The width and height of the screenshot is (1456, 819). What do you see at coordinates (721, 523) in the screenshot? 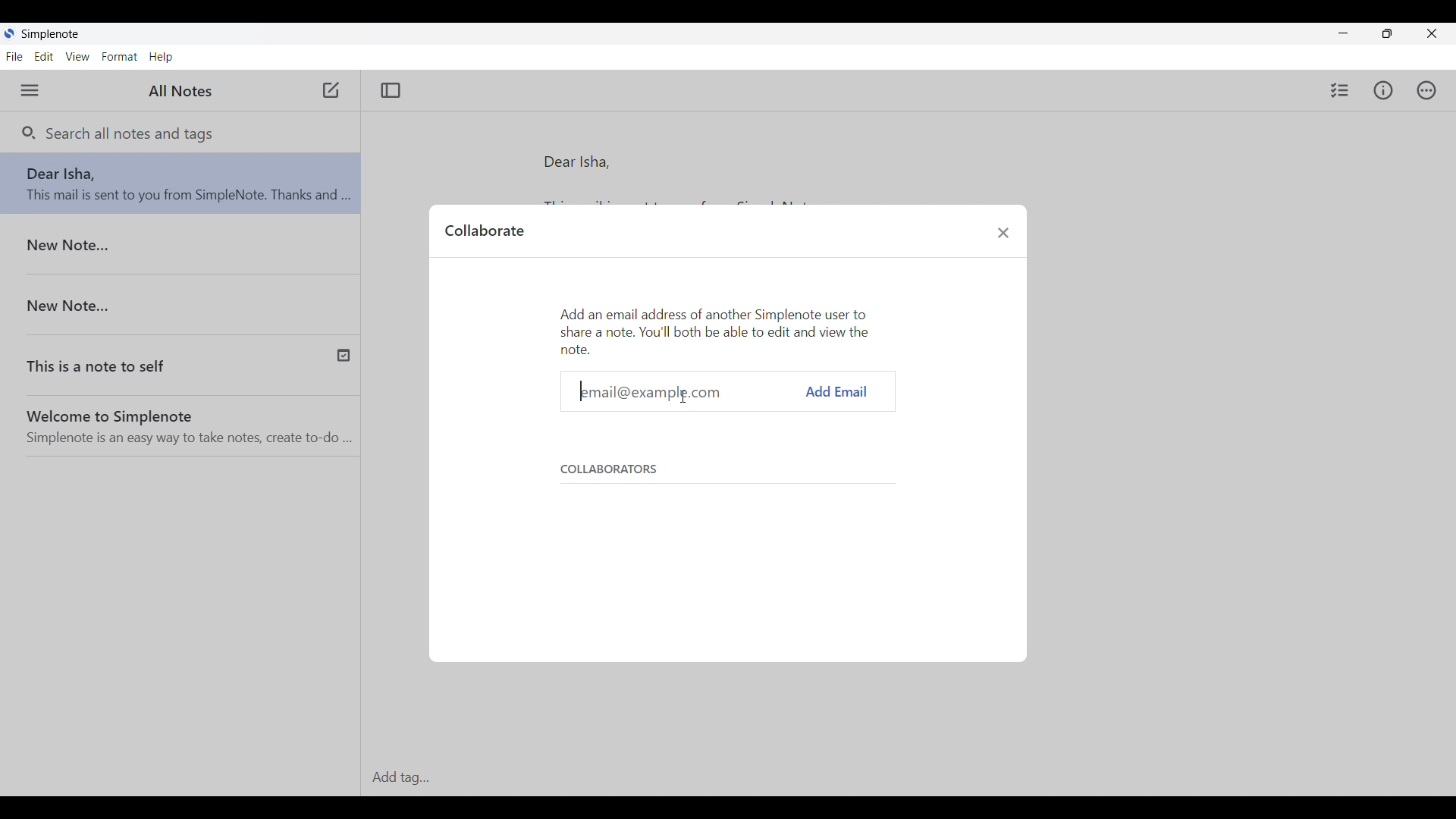
I see `Section listing collaborators` at bounding box center [721, 523].